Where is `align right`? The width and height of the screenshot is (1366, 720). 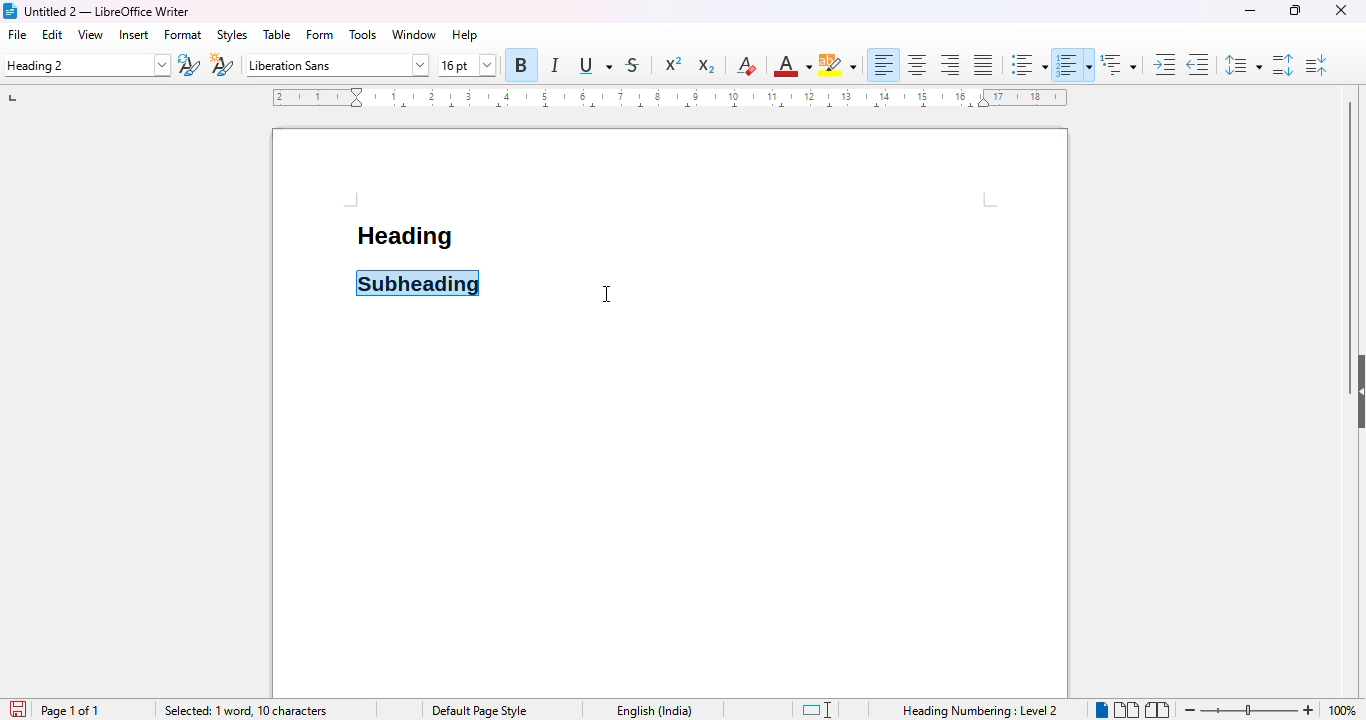 align right is located at coordinates (949, 66).